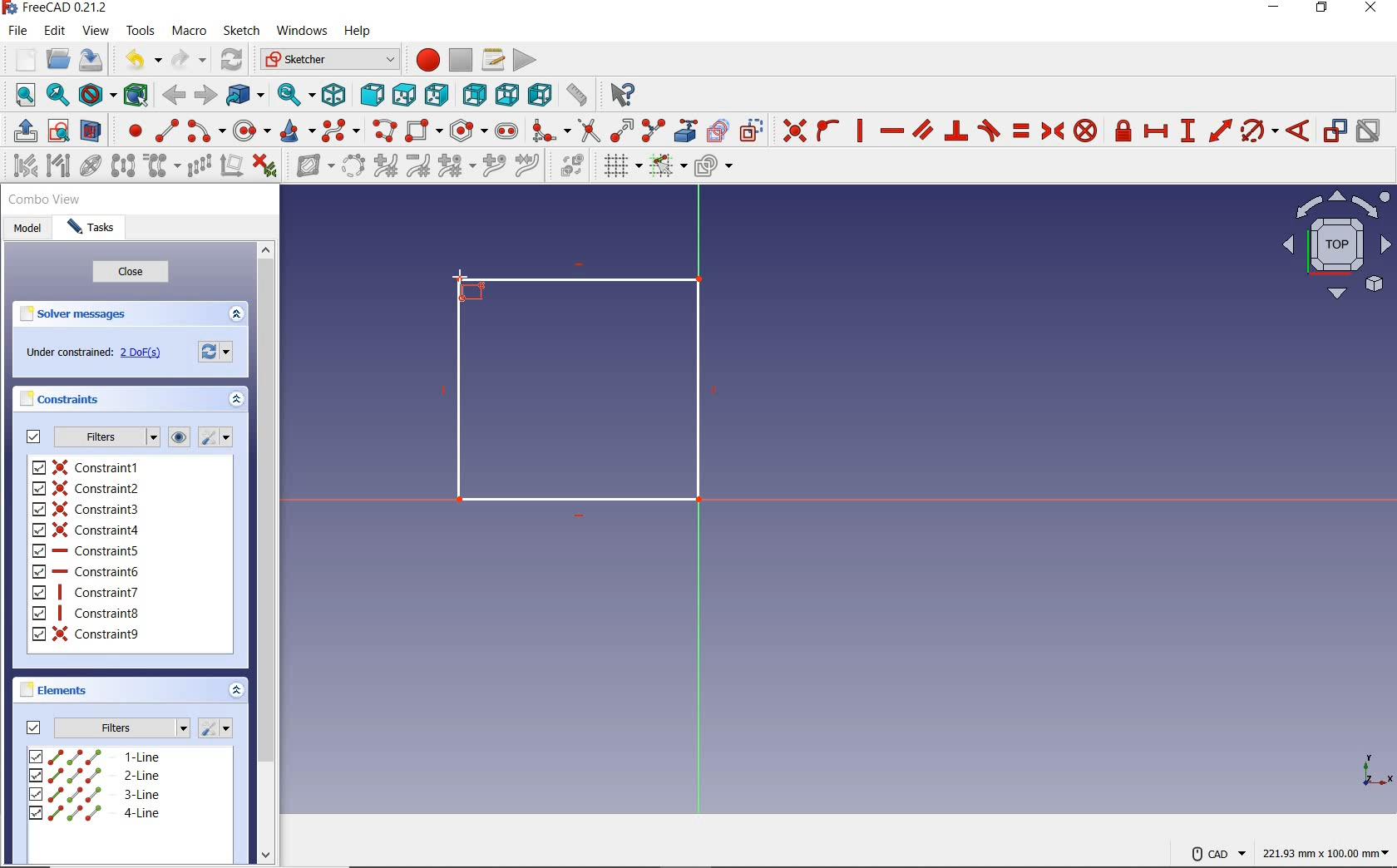  Describe the element at coordinates (585, 391) in the screenshot. I see `drawn sketch` at that location.